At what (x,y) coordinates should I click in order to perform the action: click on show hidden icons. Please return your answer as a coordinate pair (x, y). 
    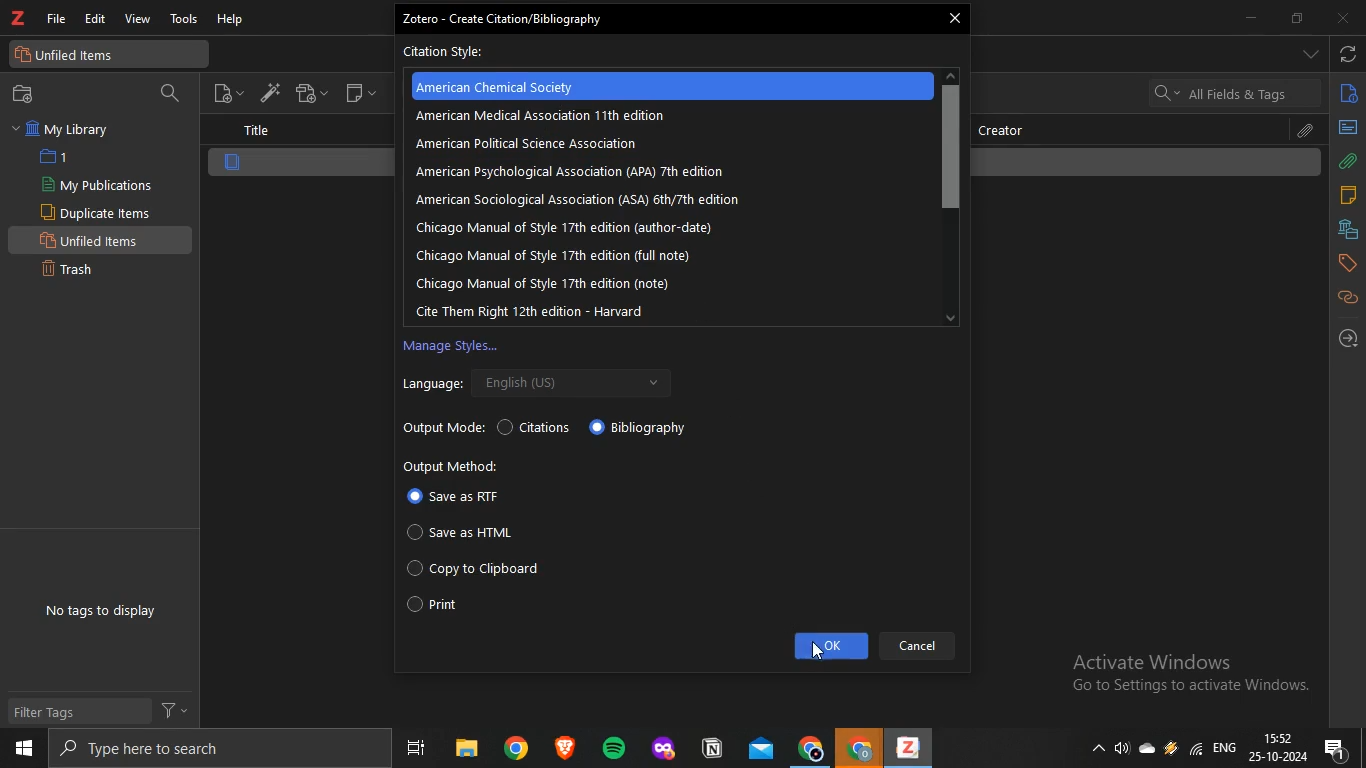
    Looking at the image, I should click on (1095, 746).